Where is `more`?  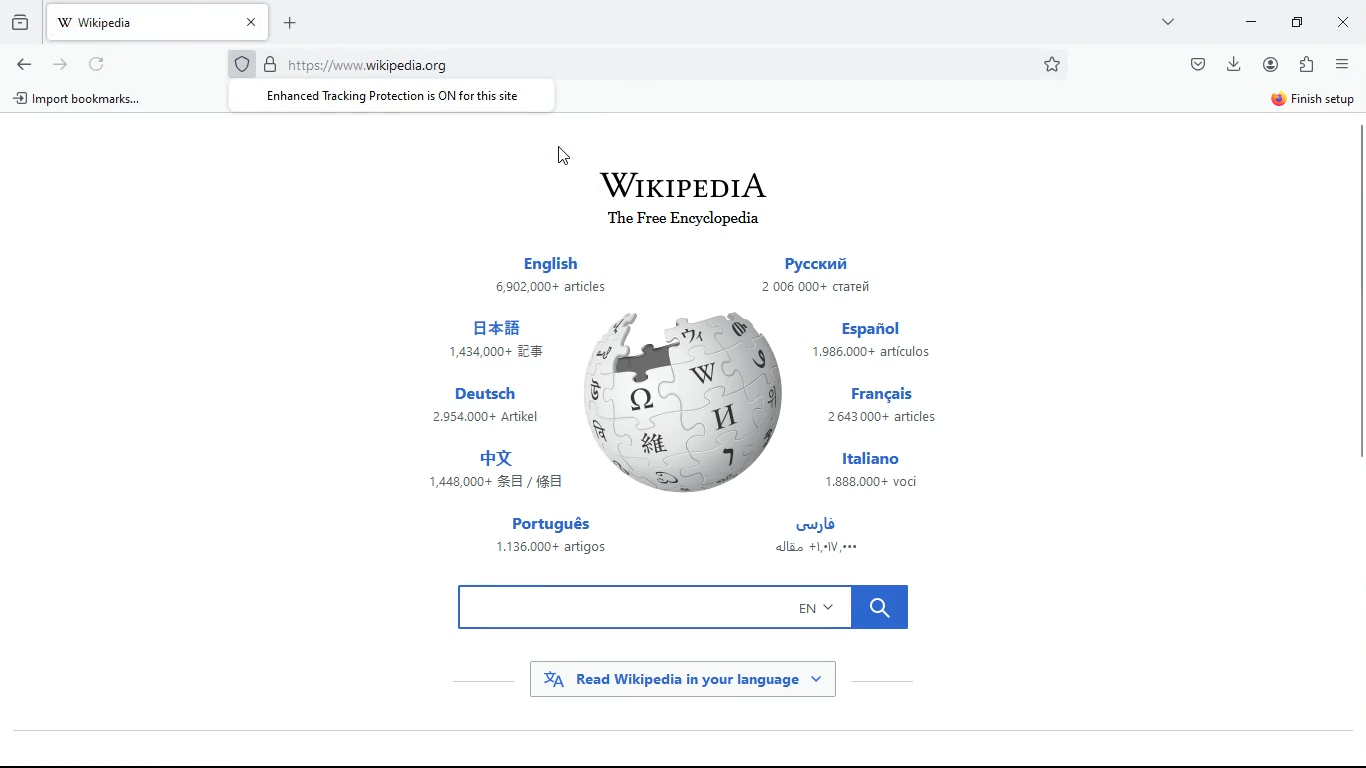 more is located at coordinates (1166, 22).